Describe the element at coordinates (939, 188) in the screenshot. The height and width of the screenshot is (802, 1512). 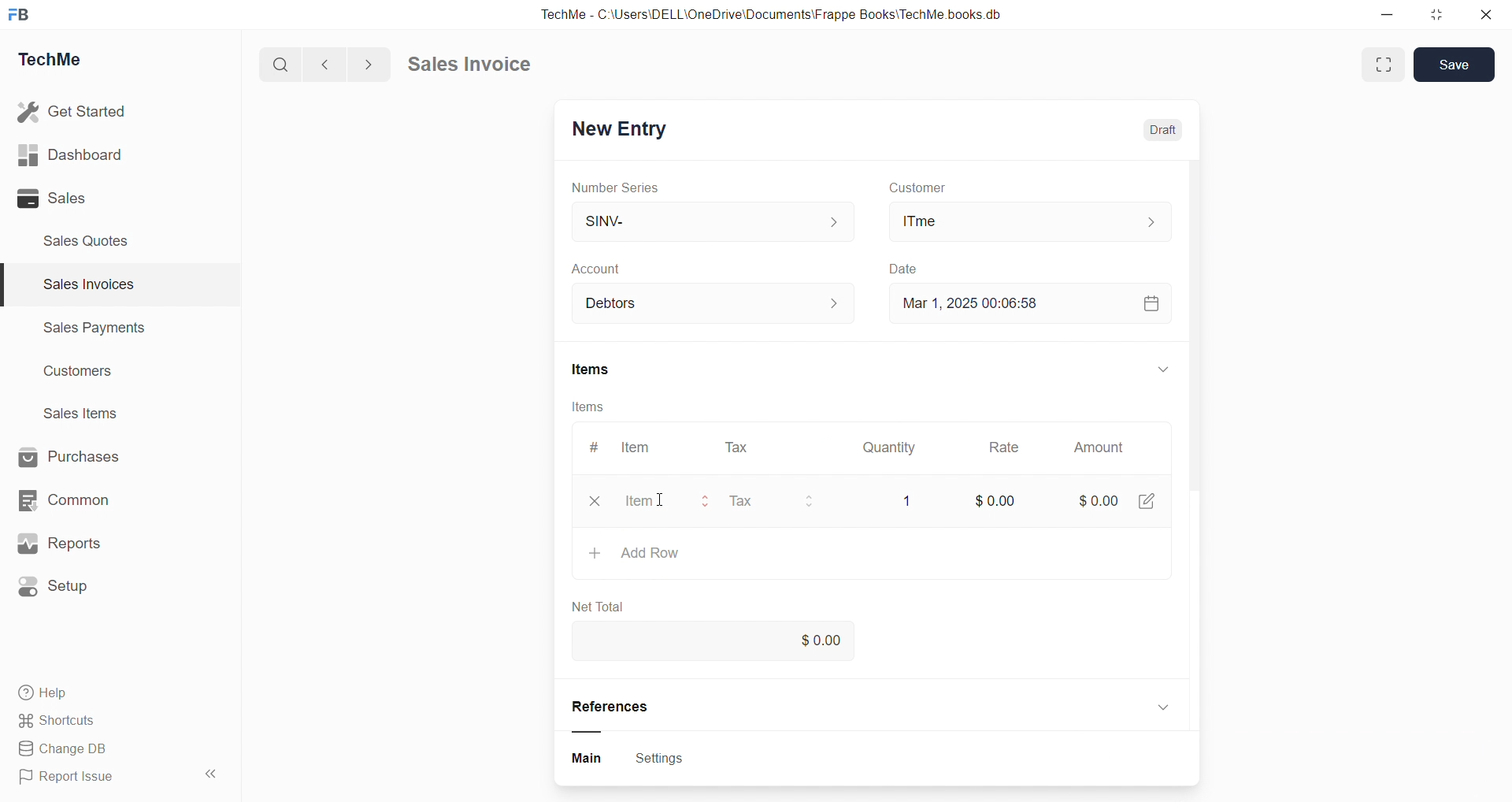
I see `Customer` at that location.